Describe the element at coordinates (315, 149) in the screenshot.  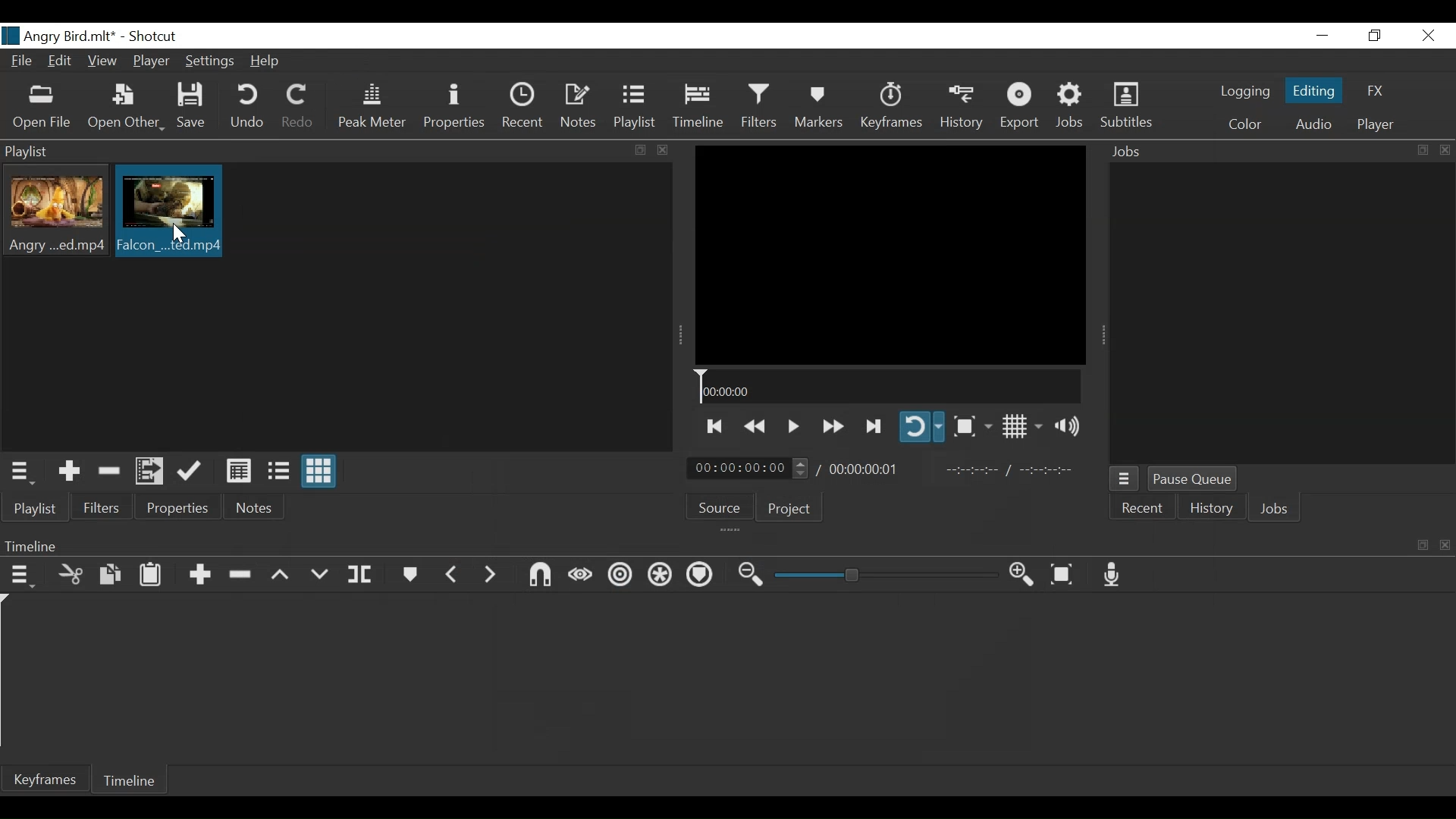
I see `Playlist Panel` at that location.